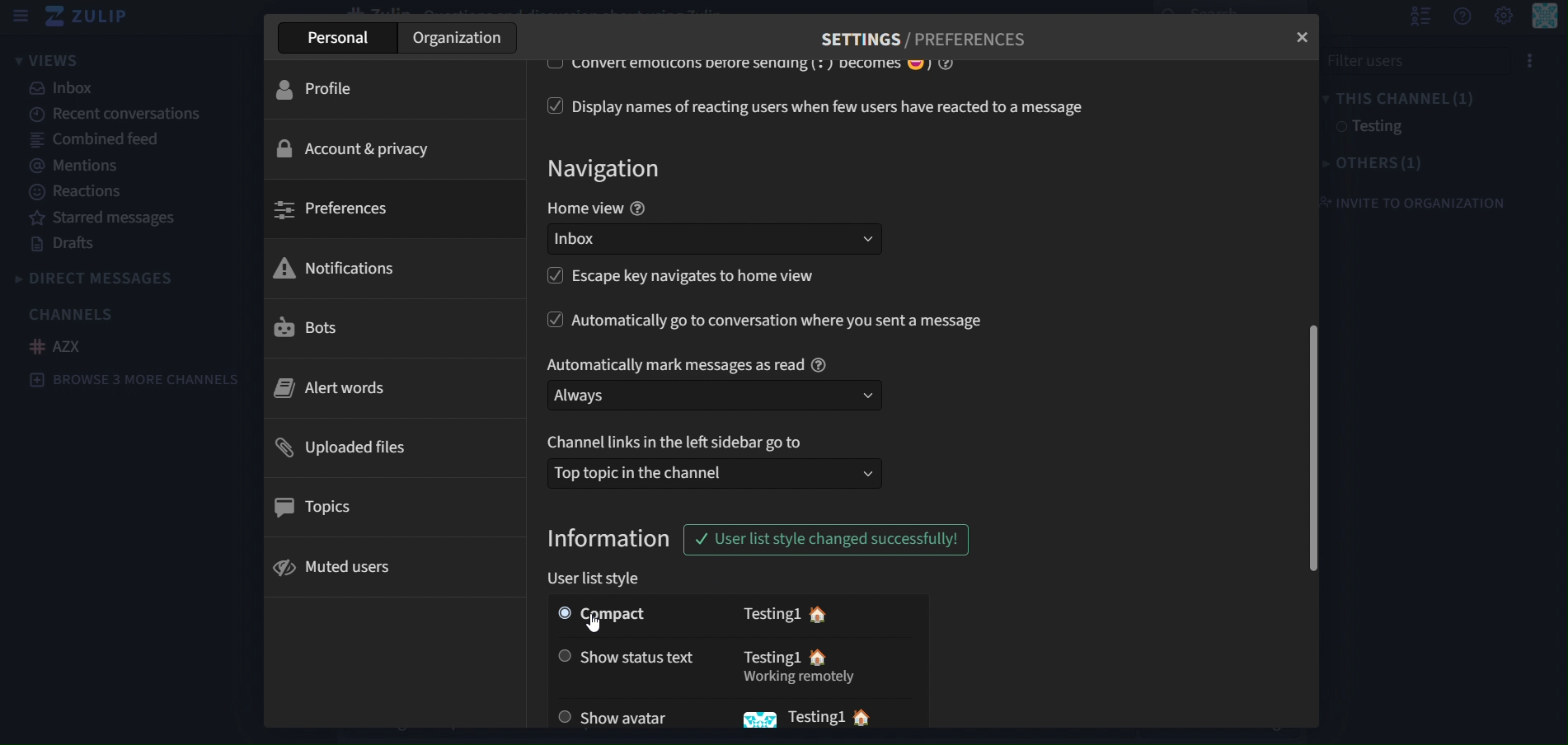 Image resolution: width=1568 pixels, height=745 pixels. What do you see at coordinates (1406, 96) in the screenshot?
I see `this channel(1)` at bounding box center [1406, 96].